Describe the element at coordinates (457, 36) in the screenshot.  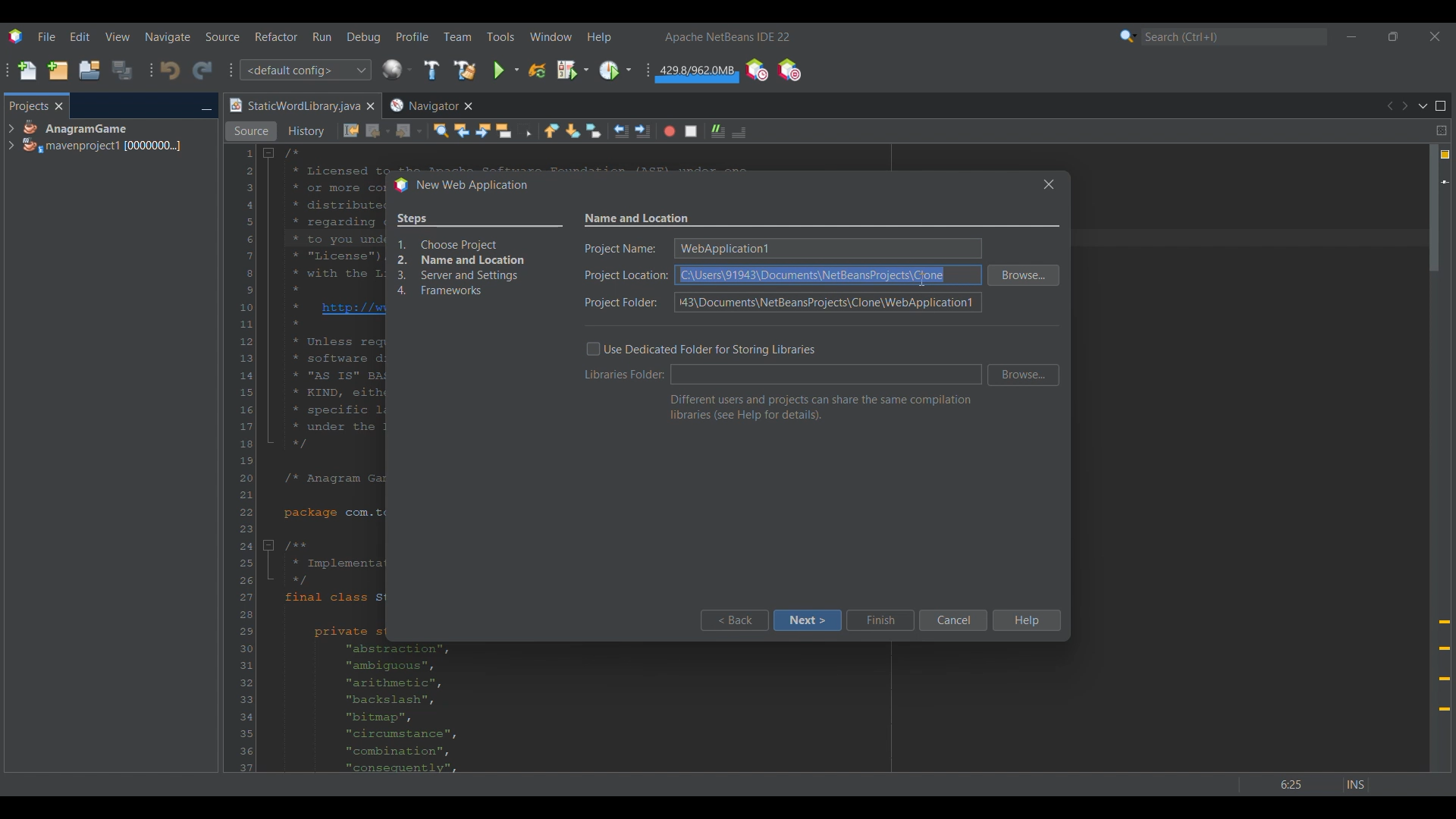
I see `Team menu` at that location.